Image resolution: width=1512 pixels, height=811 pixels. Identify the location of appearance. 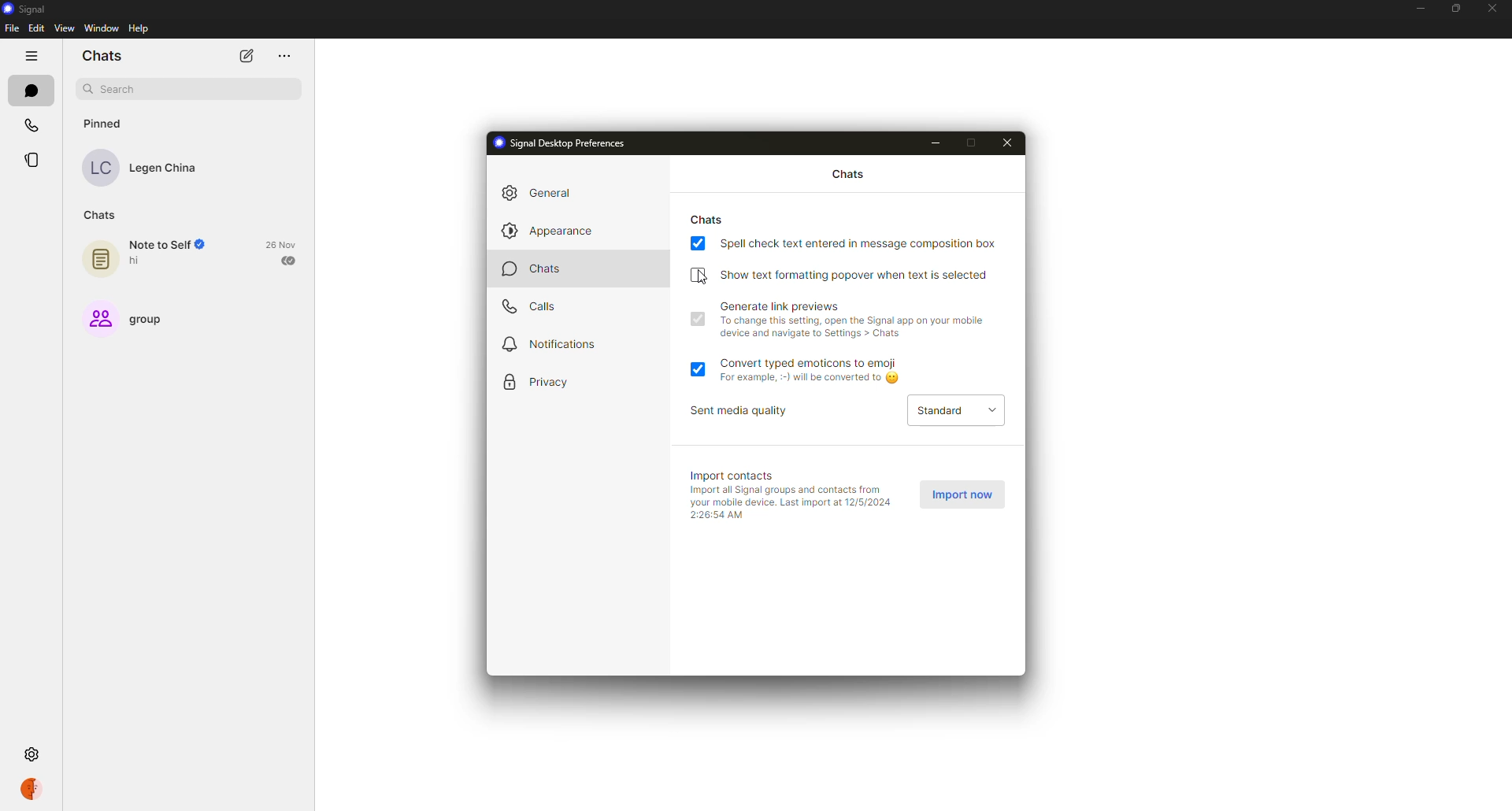
(545, 231).